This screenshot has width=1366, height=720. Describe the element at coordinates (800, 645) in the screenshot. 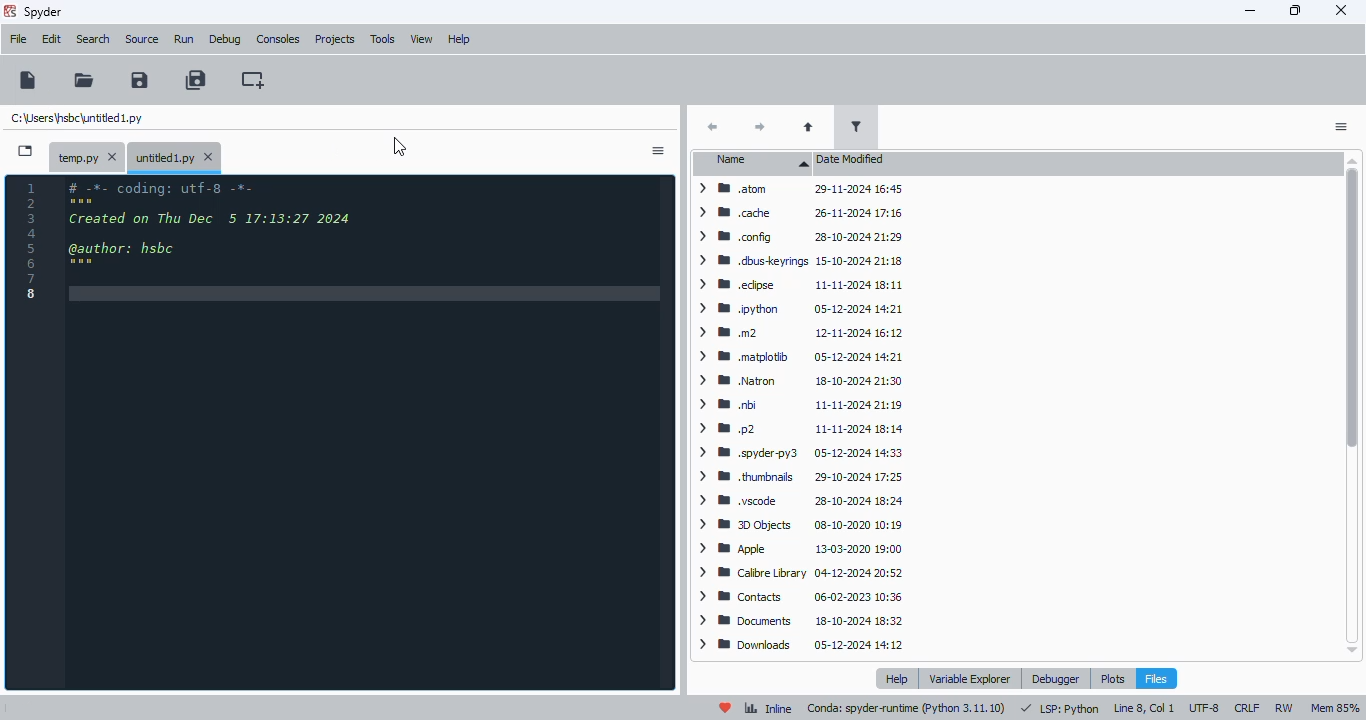

I see `> WM Downloads ~~ 05-12-2024 14:12` at that location.